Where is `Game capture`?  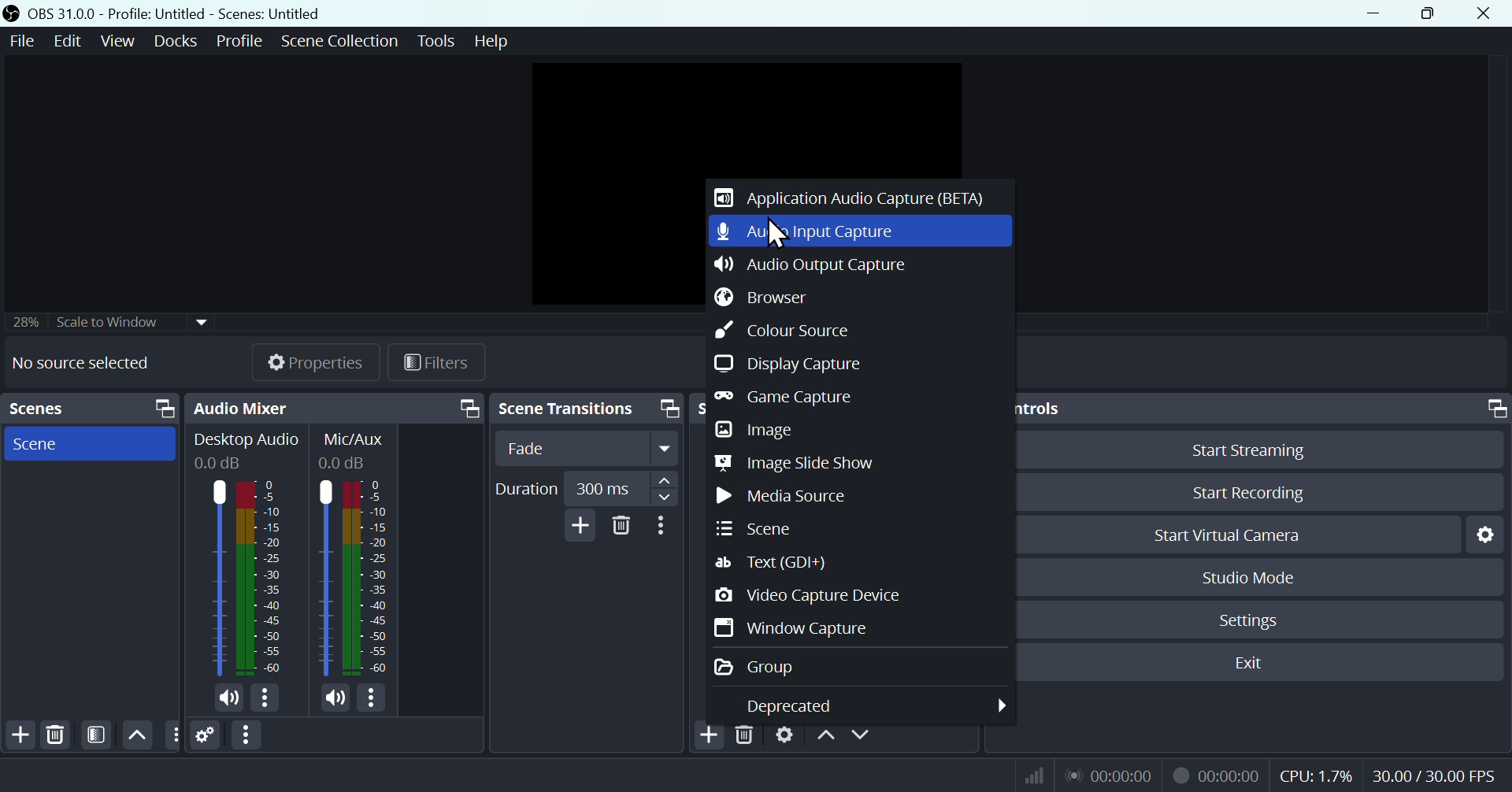 Game capture is located at coordinates (795, 397).